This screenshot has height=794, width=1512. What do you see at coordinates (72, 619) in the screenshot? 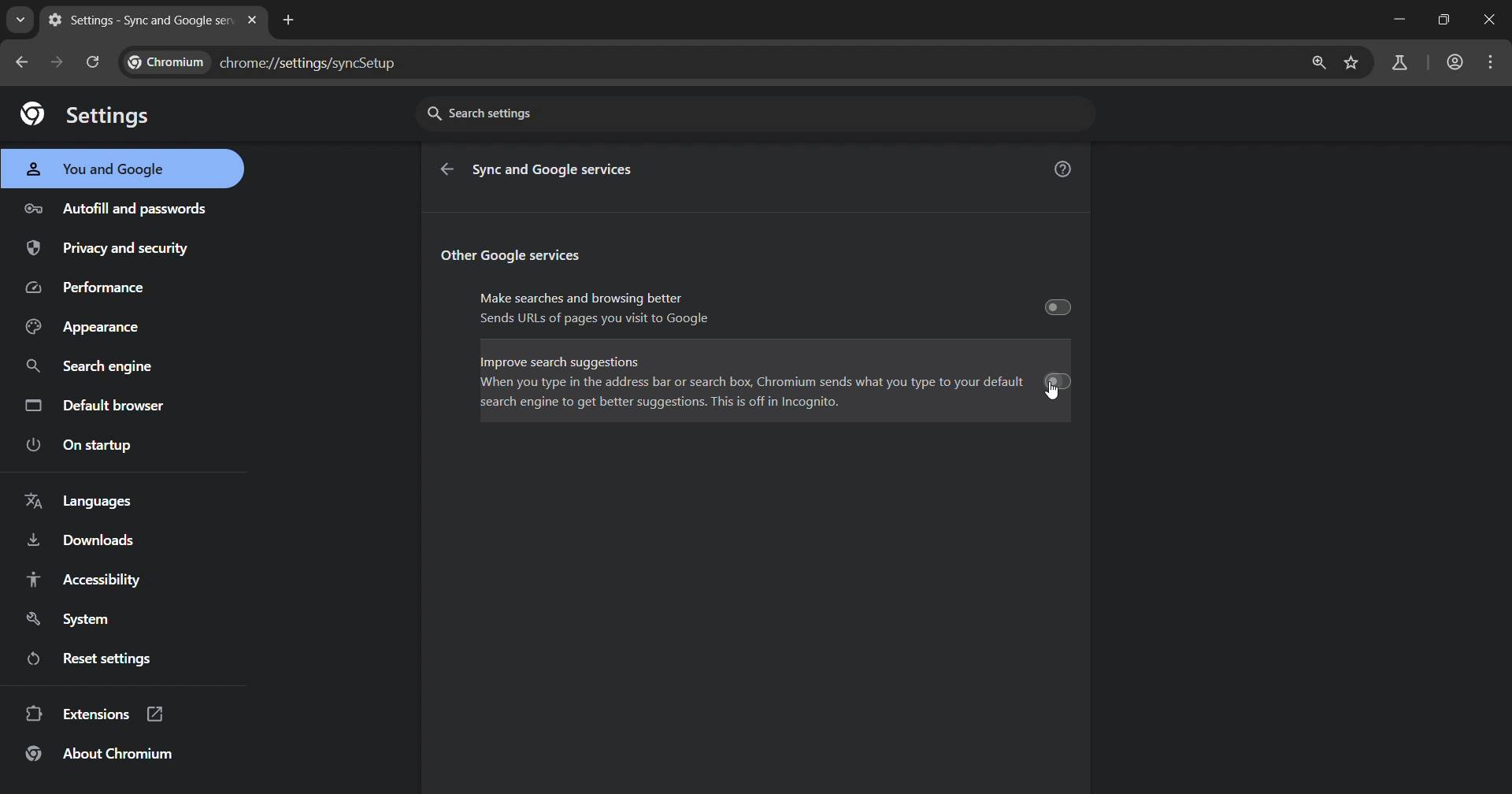
I see `system` at bounding box center [72, 619].